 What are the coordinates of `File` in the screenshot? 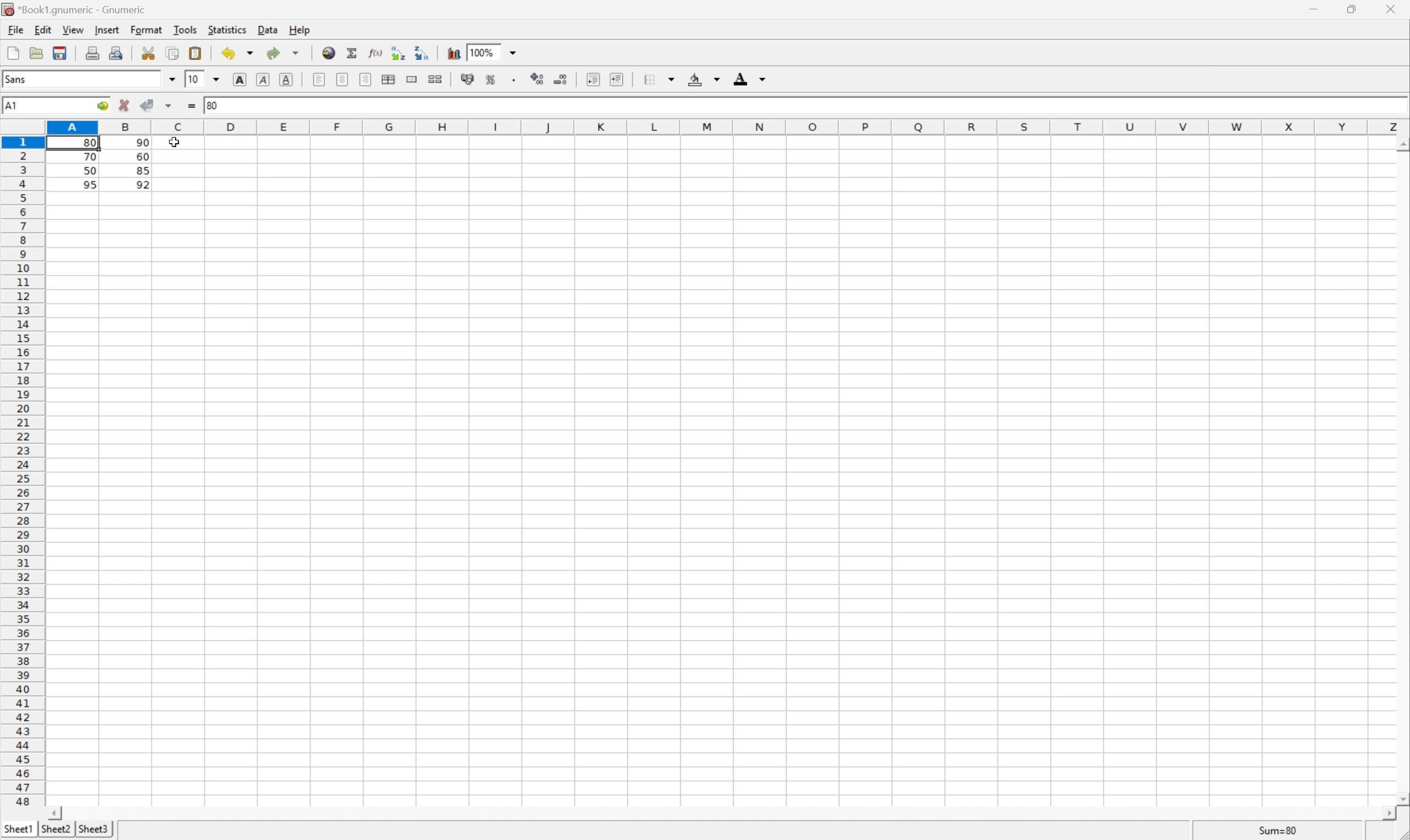 It's located at (17, 30).